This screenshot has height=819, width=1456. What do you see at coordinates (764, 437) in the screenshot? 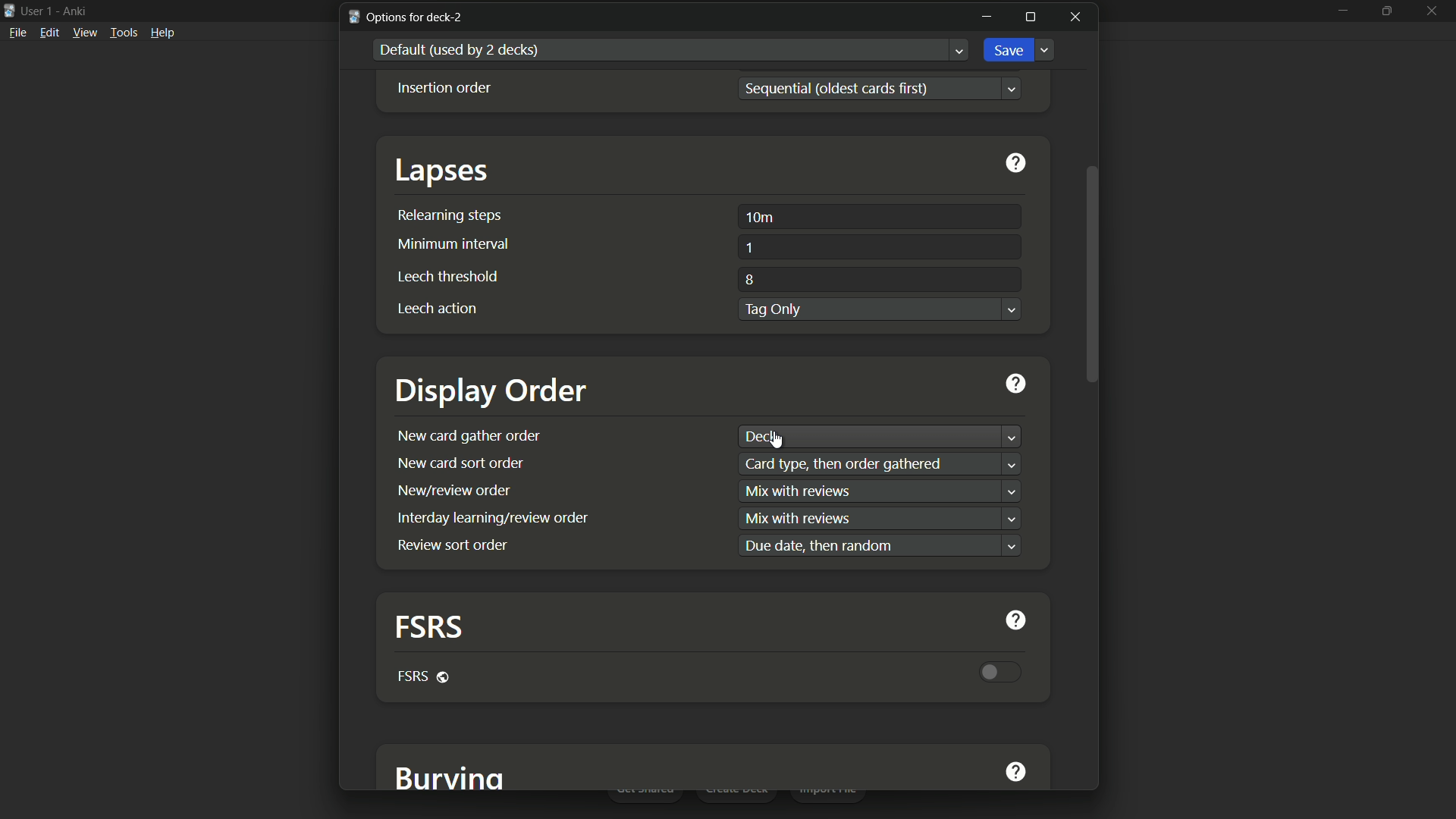
I see `deck` at bounding box center [764, 437].